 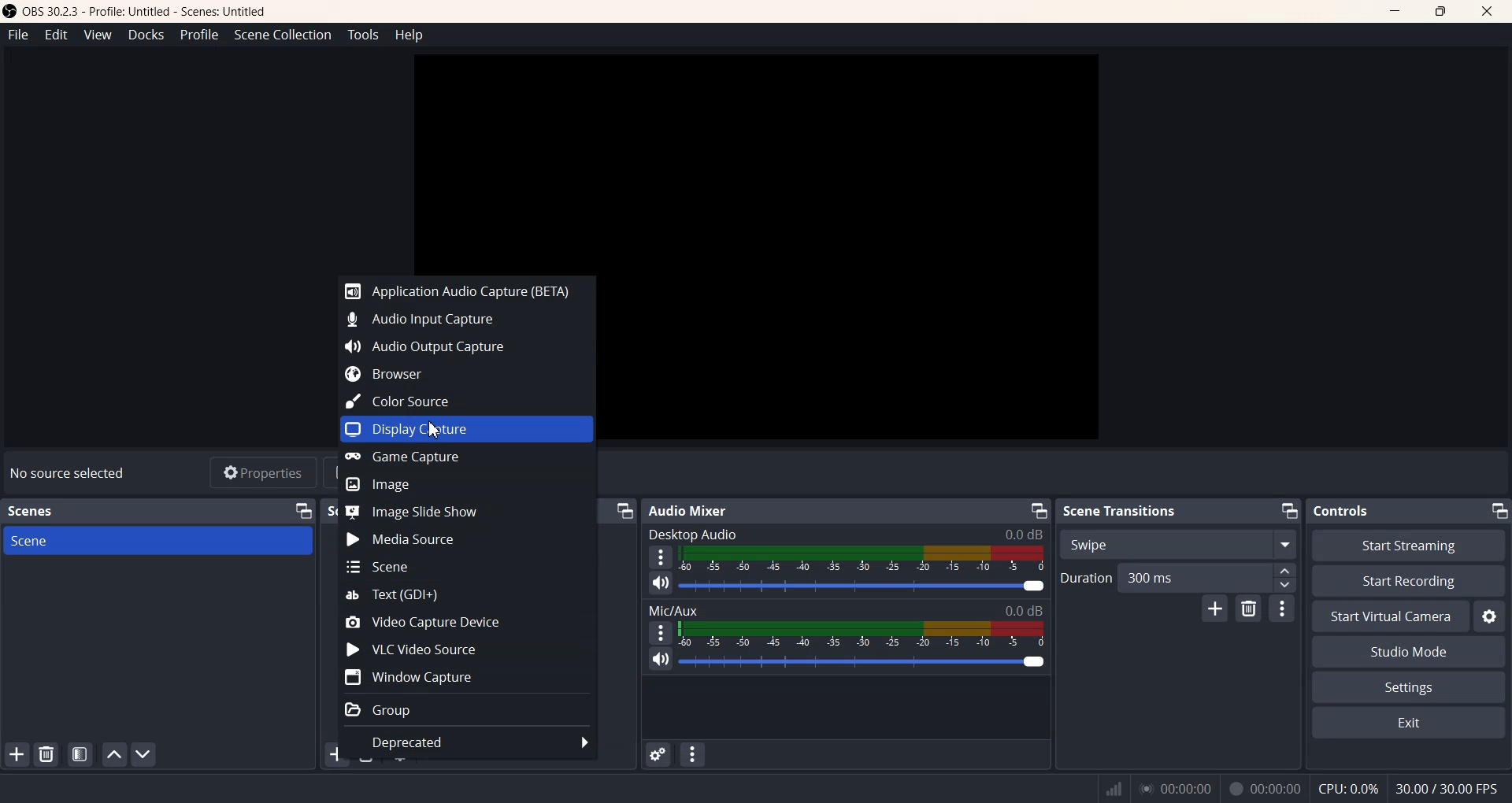 What do you see at coordinates (1411, 545) in the screenshot?
I see `Start Streaming` at bounding box center [1411, 545].